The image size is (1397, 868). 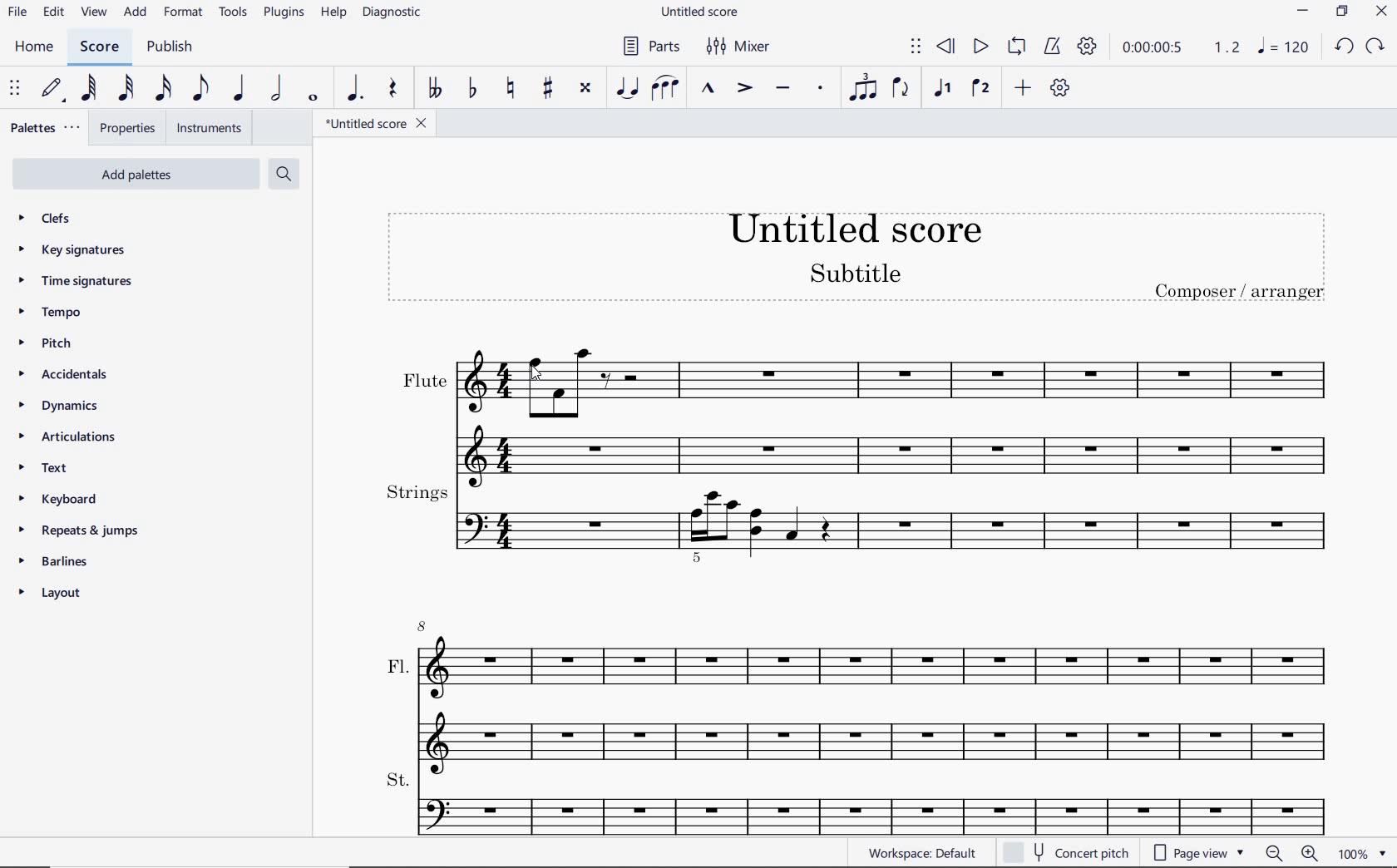 I want to click on MIXER, so click(x=736, y=47).